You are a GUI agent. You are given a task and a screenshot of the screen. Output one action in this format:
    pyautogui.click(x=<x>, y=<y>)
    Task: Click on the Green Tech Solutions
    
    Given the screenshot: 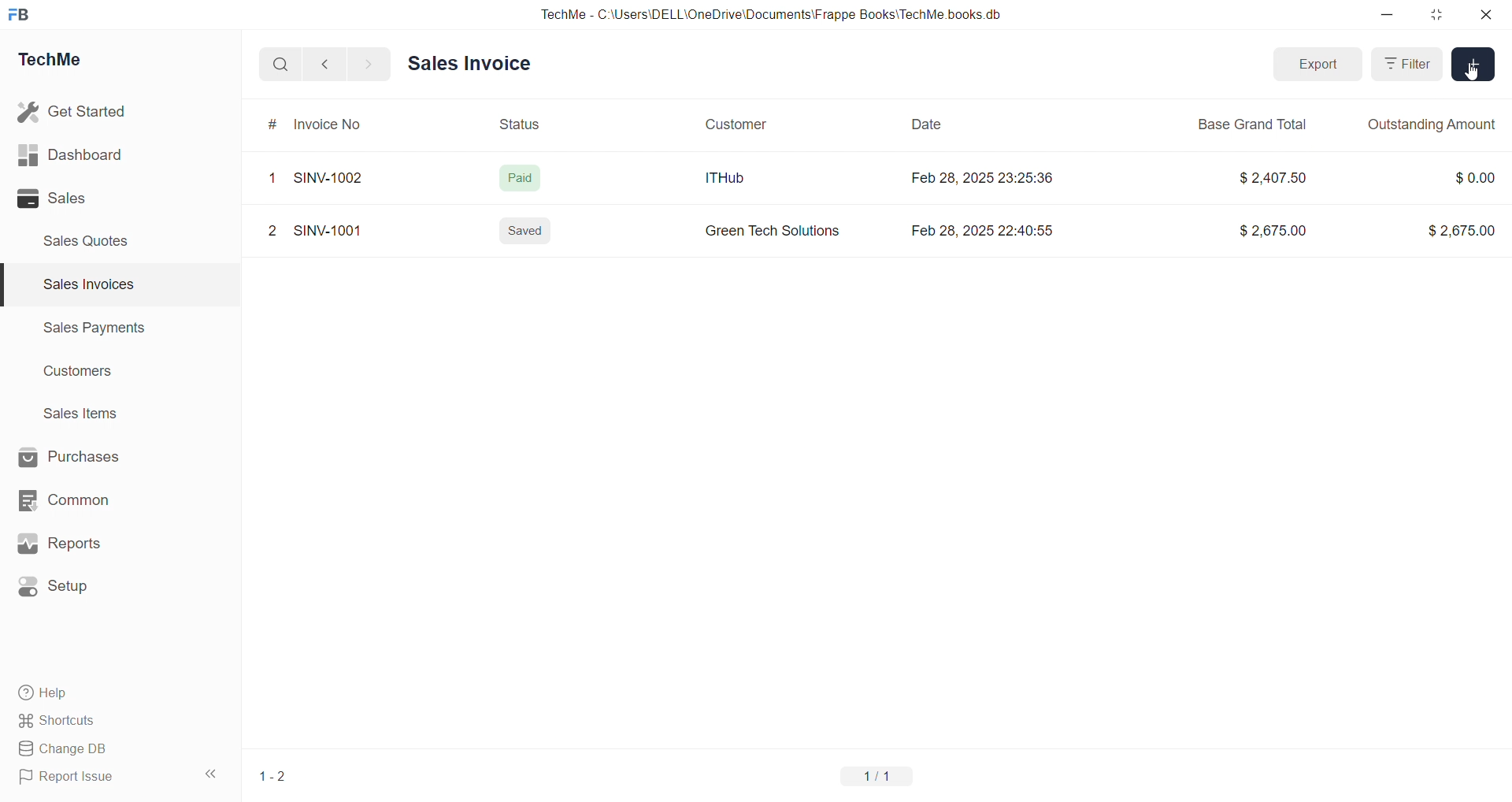 What is the action you would take?
    pyautogui.click(x=774, y=235)
    